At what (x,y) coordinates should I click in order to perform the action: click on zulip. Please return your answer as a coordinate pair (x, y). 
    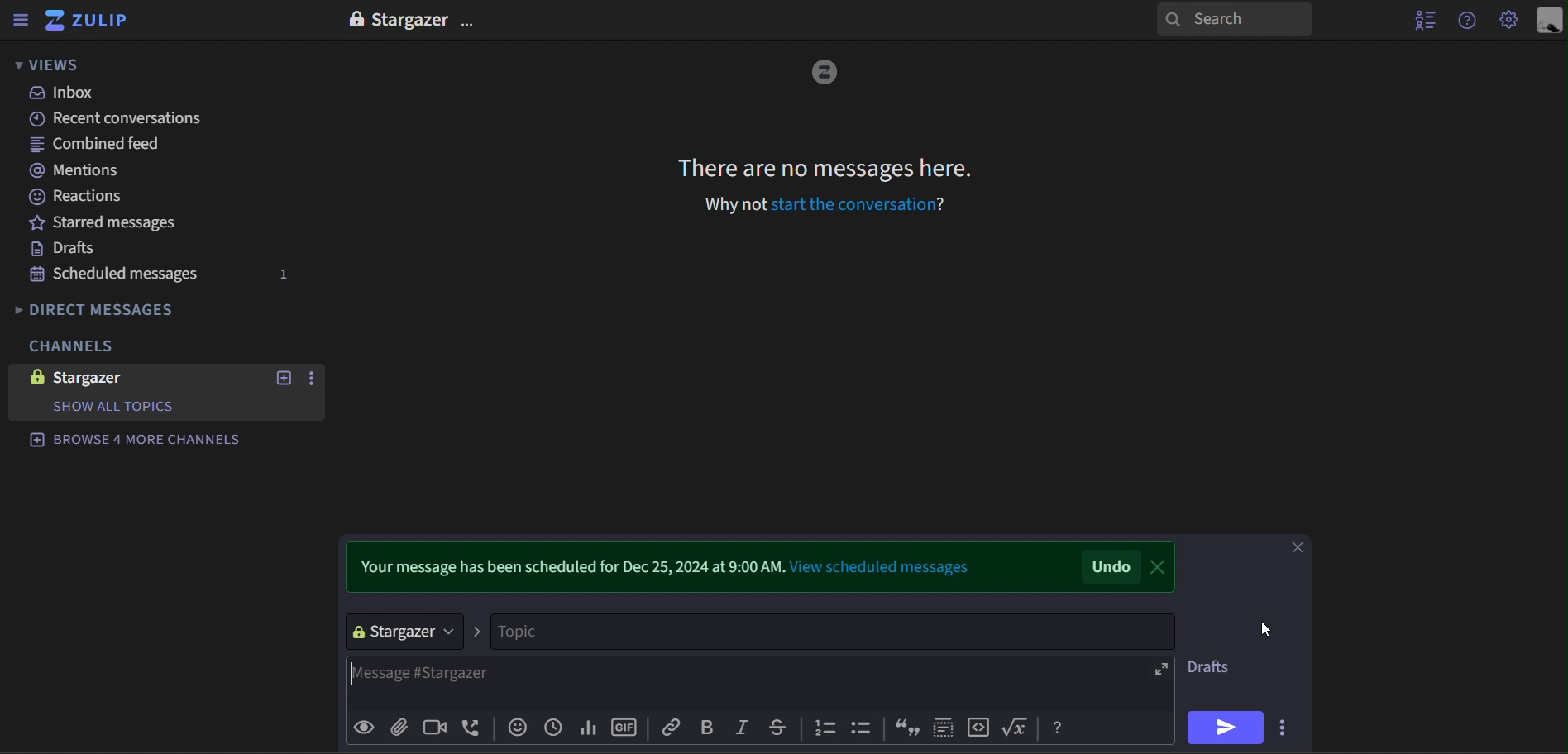
    Looking at the image, I should click on (89, 21).